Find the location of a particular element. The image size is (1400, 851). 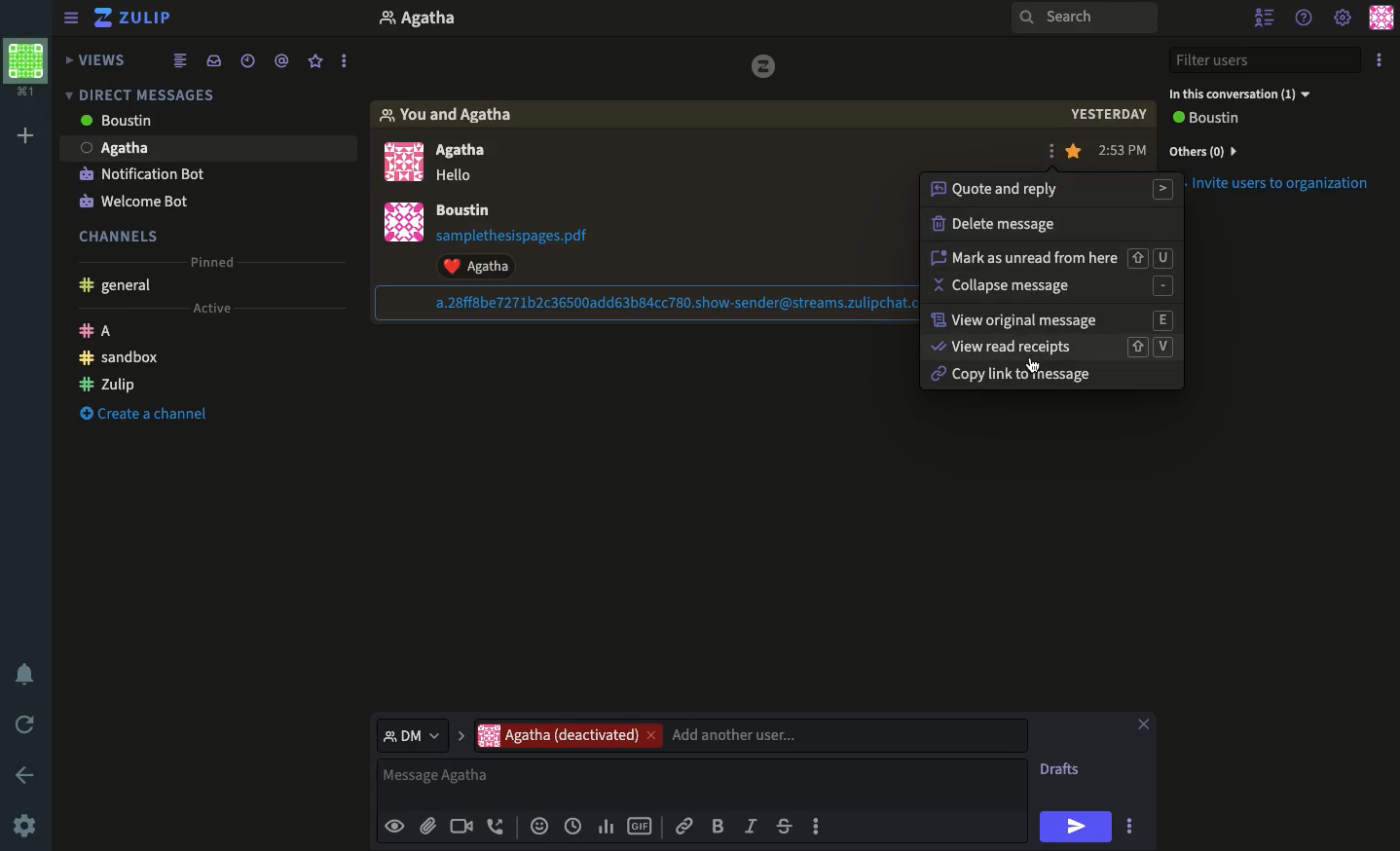

Options is located at coordinates (1379, 59).